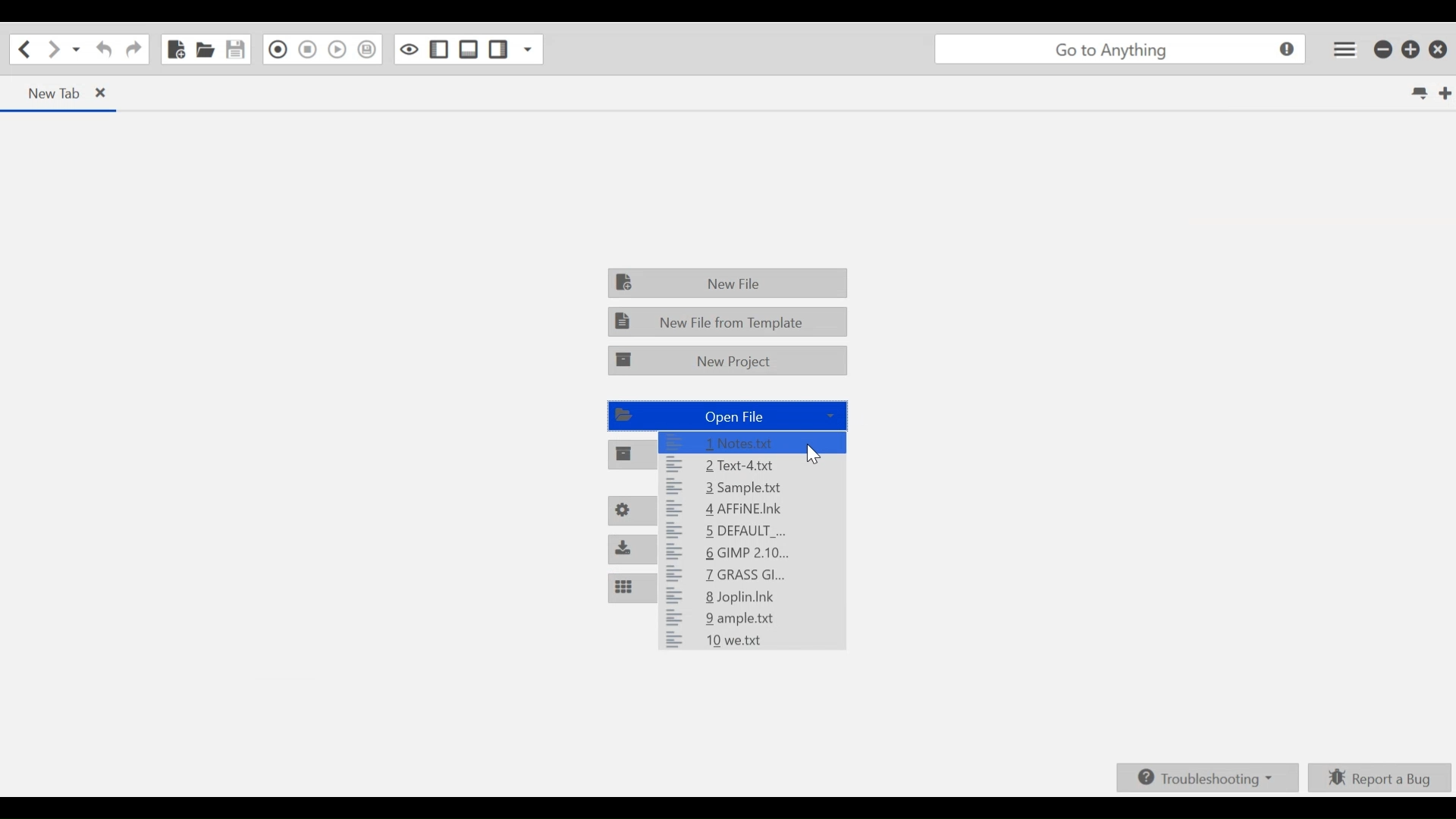  What do you see at coordinates (1380, 778) in the screenshot?
I see `Report a bug` at bounding box center [1380, 778].